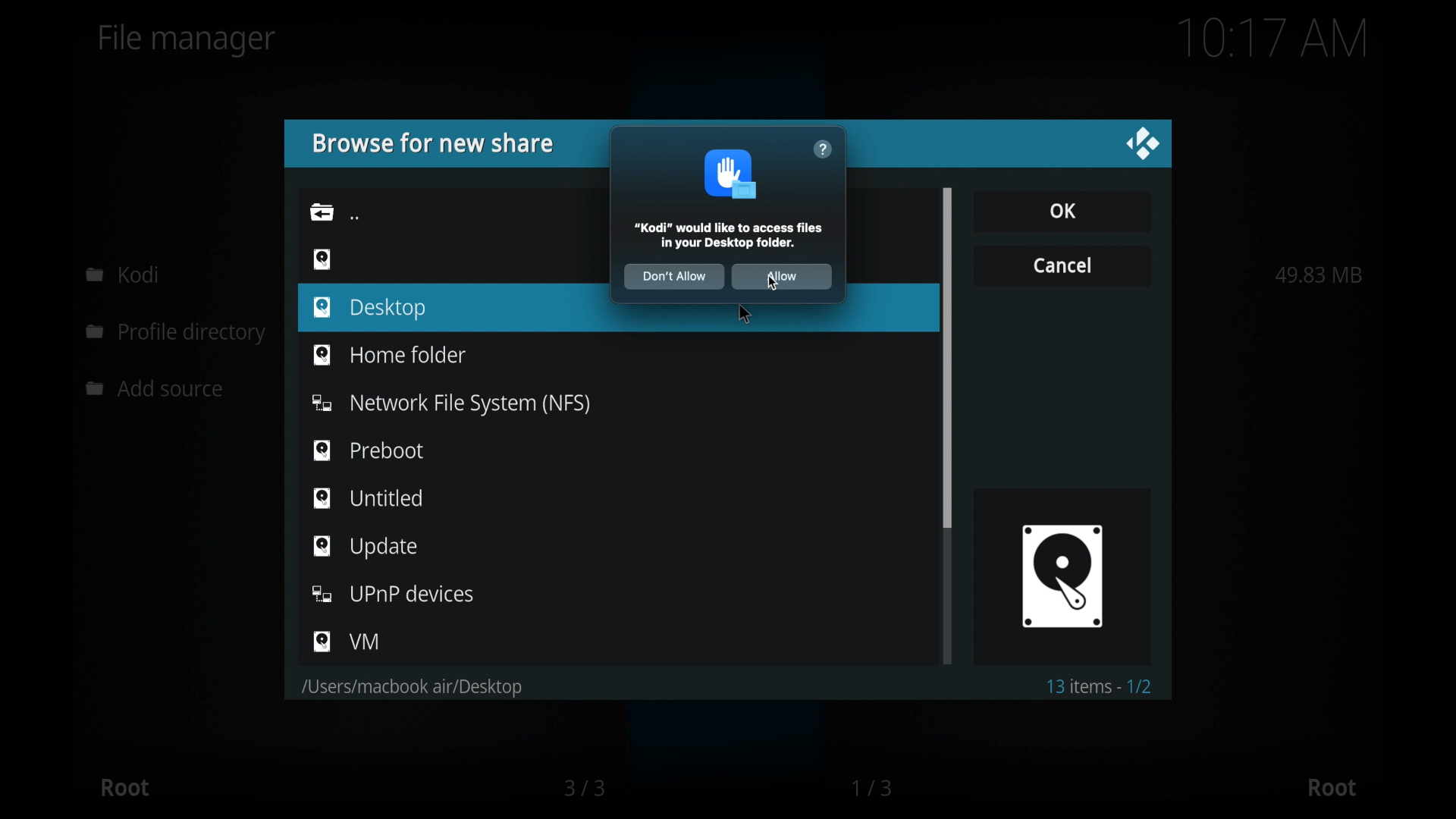 This screenshot has width=1456, height=819. What do you see at coordinates (372, 309) in the screenshot?
I see `desktop` at bounding box center [372, 309].